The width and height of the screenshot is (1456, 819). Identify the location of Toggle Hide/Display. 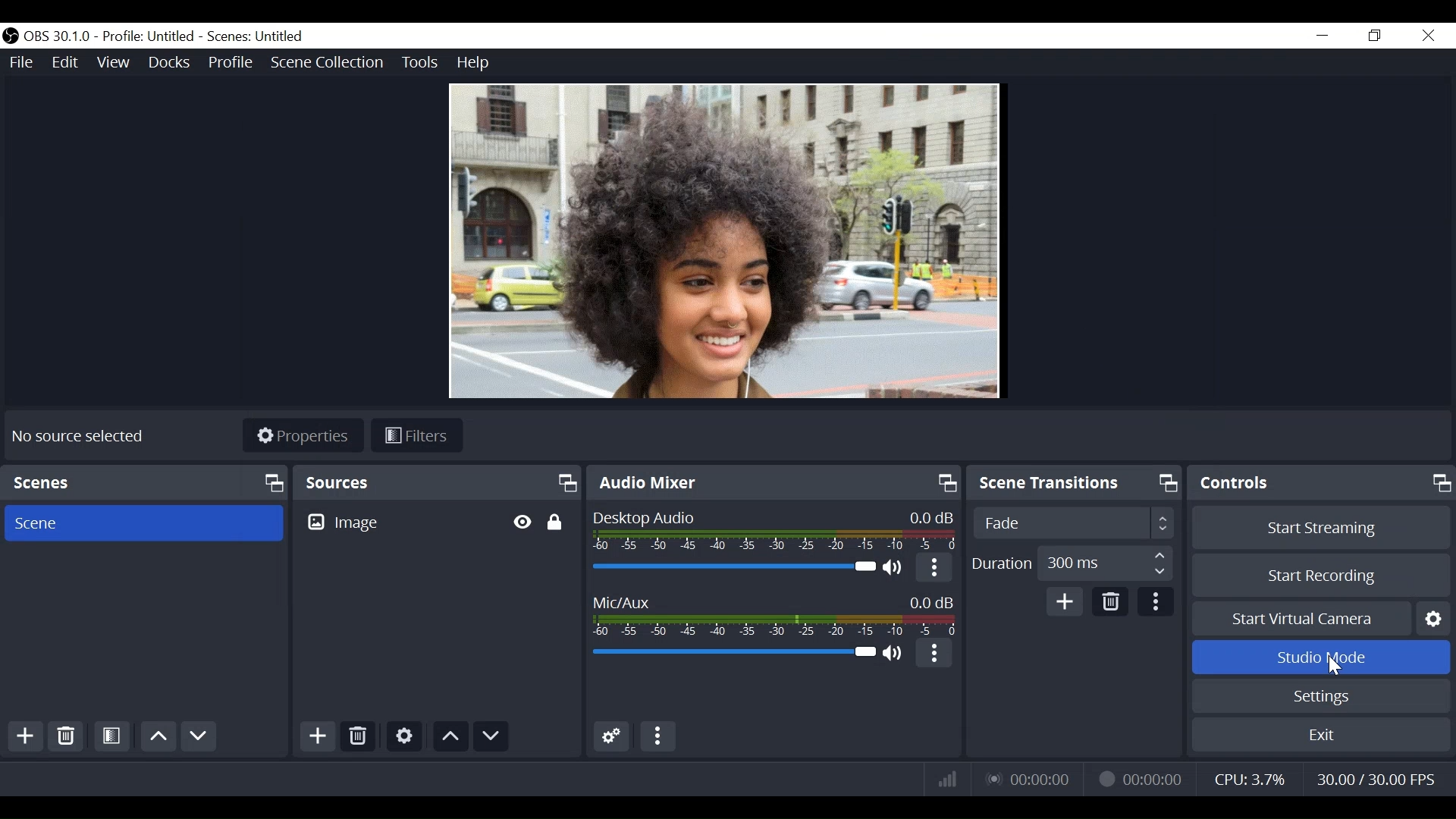
(522, 521).